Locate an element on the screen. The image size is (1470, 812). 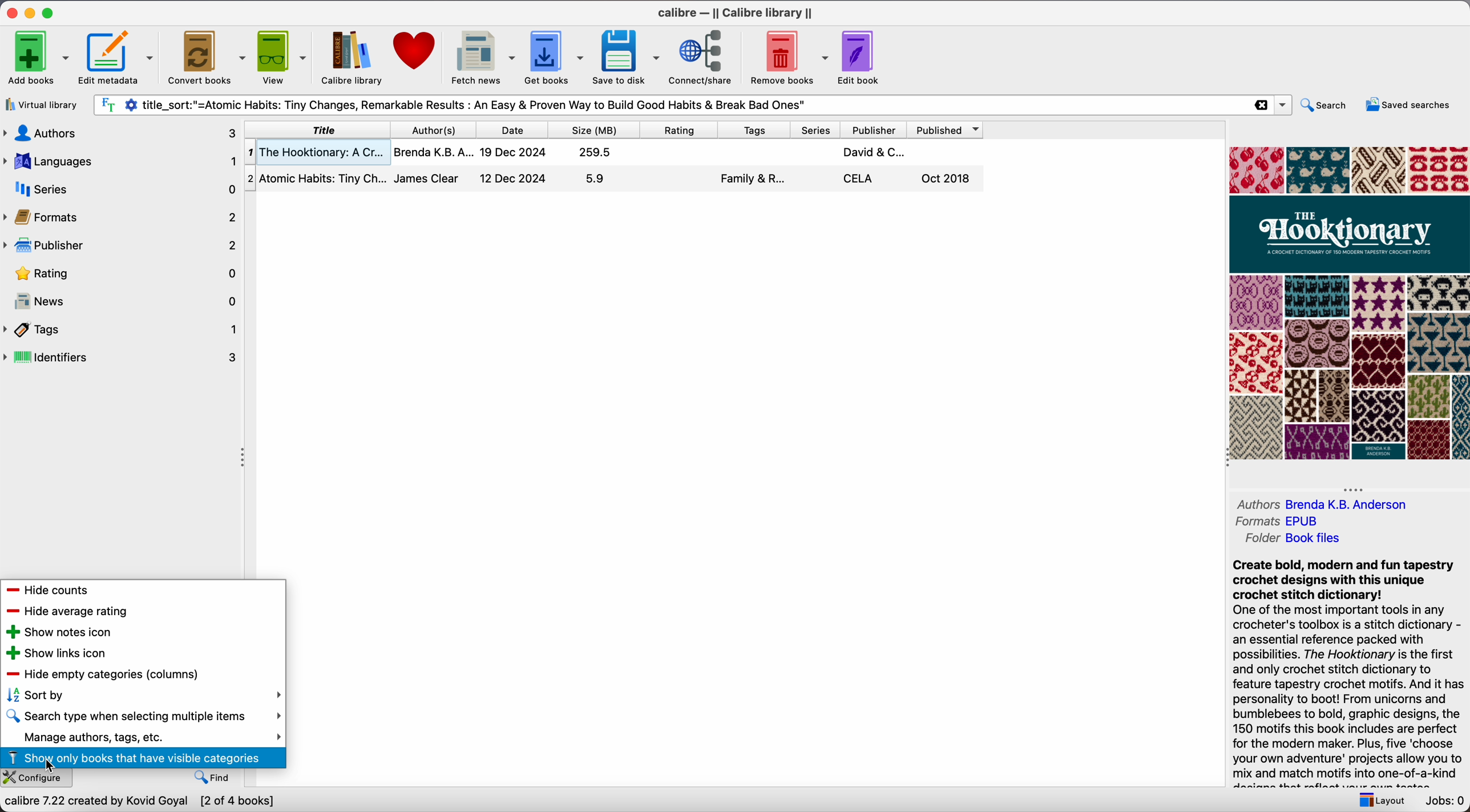
edit book is located at coordinates (863, 58).